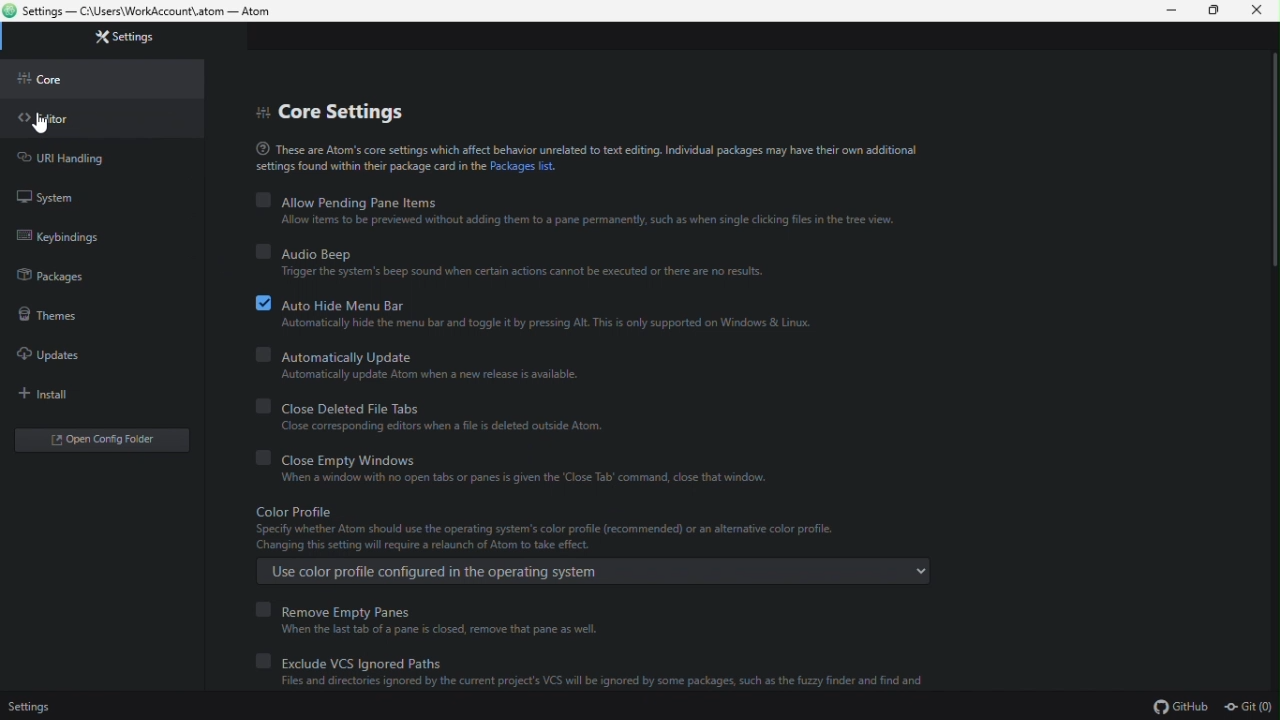  What do you see at coordinates (361, 112) in the screenshot?
I see `Core setting` at bounding box center [361, 112].